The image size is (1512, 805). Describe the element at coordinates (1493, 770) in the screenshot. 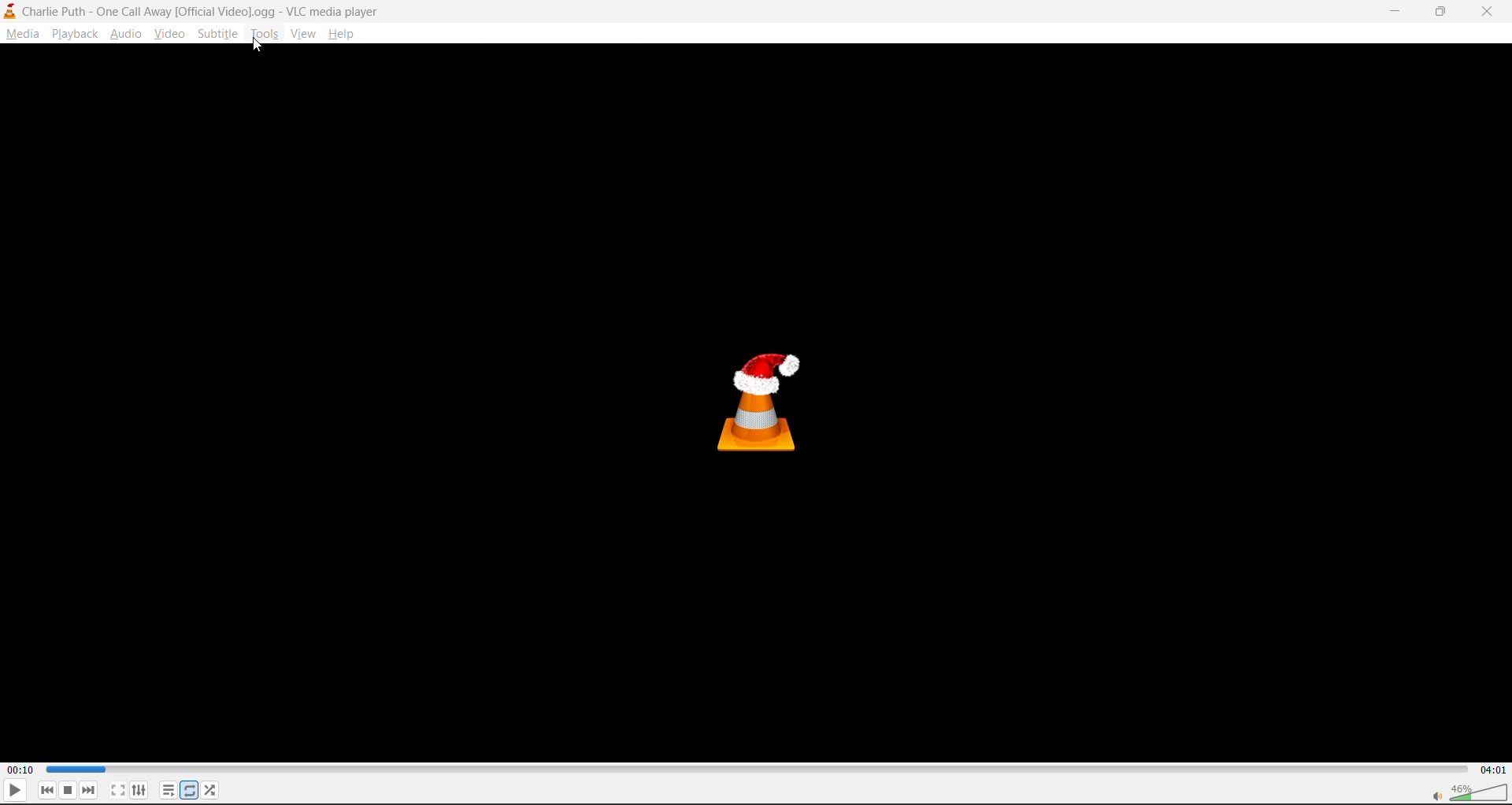

I see `04:01` at that location.